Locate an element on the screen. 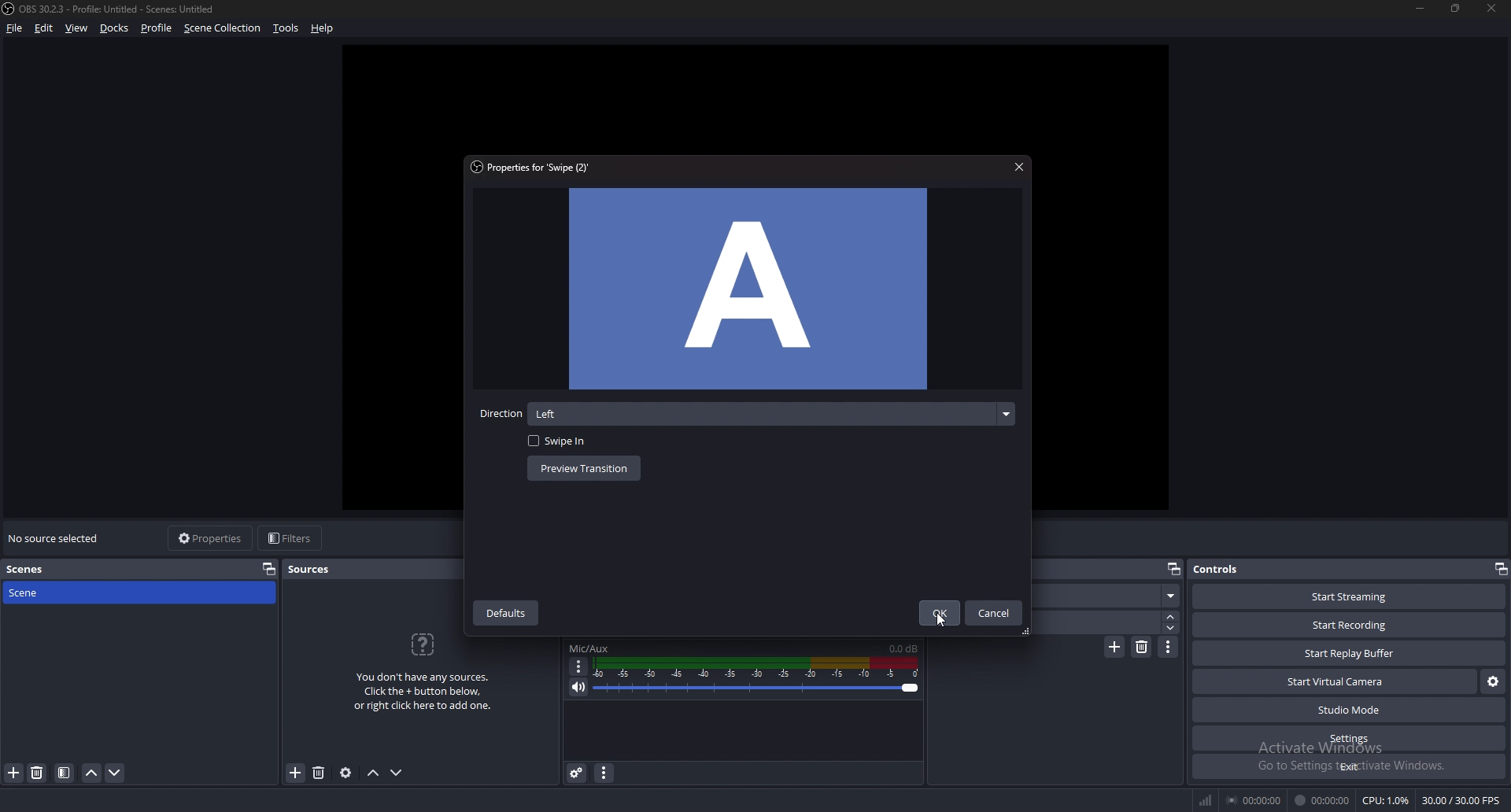  source properties settings is located at coordinates (347, 773).